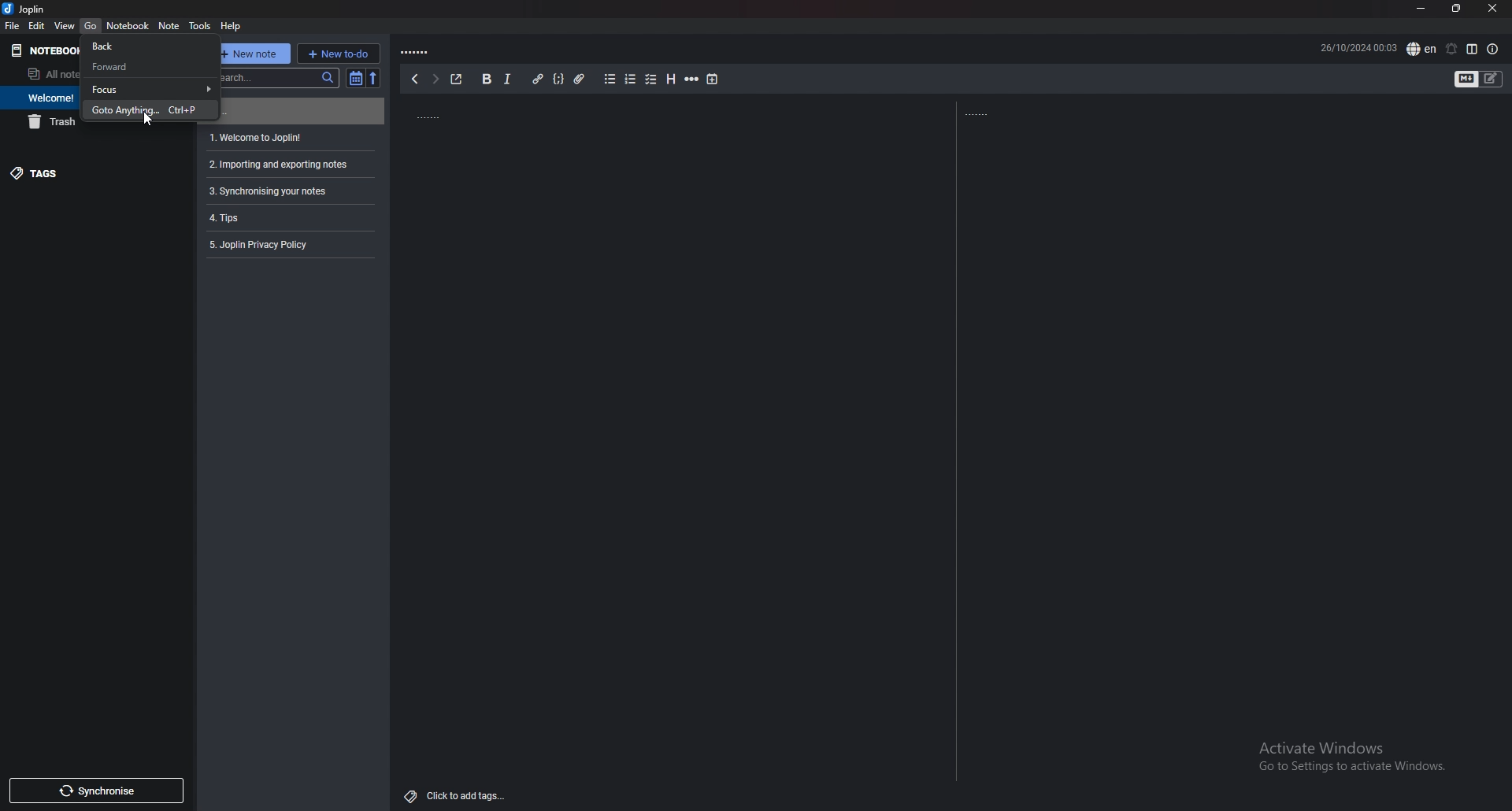  What do you see at coordinates (712, 80) in the screenshot?
I see `add time` at bounding box center [712, 80].